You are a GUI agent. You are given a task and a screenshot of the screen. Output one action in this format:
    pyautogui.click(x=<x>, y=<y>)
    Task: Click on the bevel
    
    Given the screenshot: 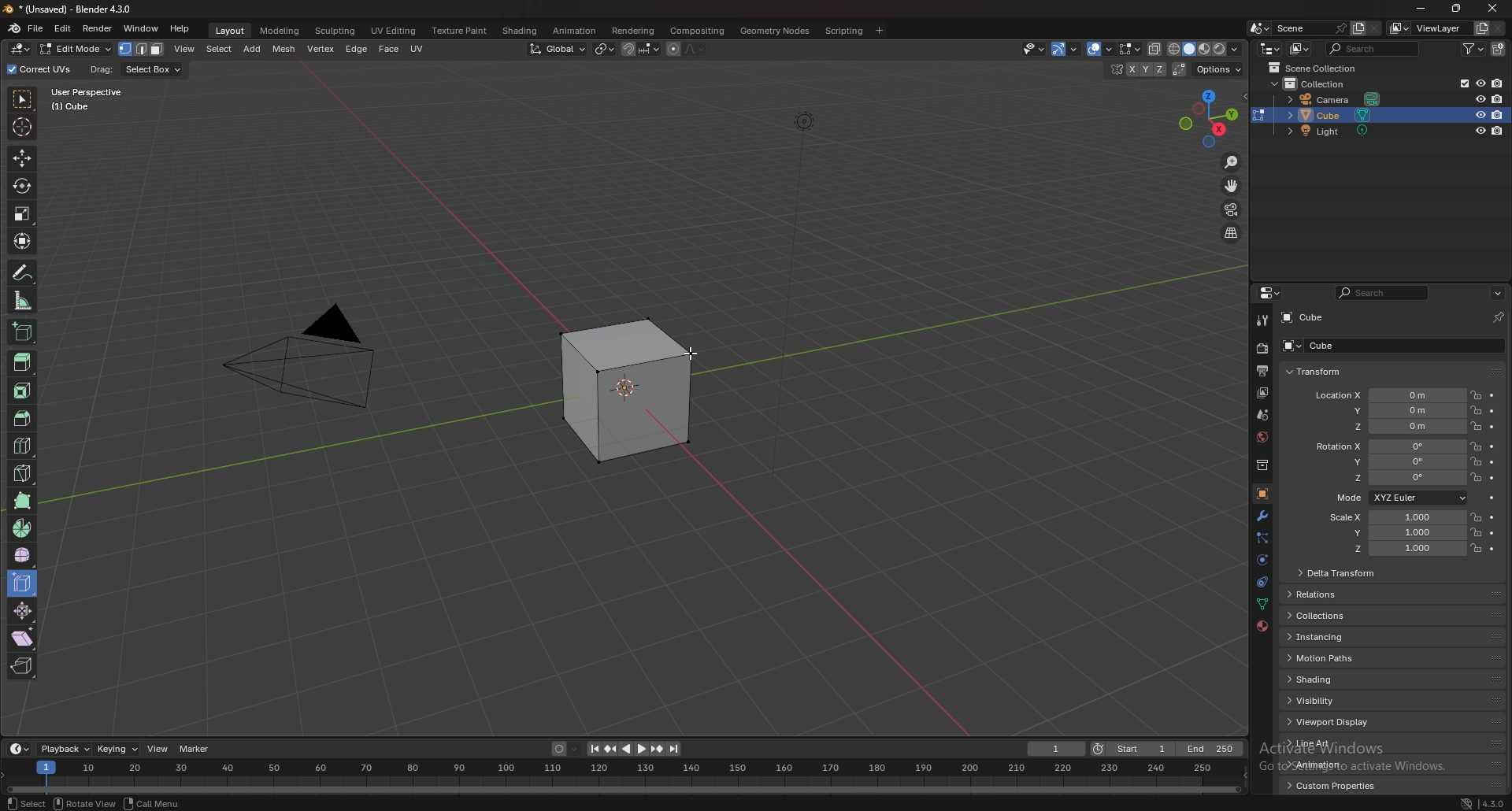 What is the action you would take?
    pyautogui.click(x=20, y=418)
    